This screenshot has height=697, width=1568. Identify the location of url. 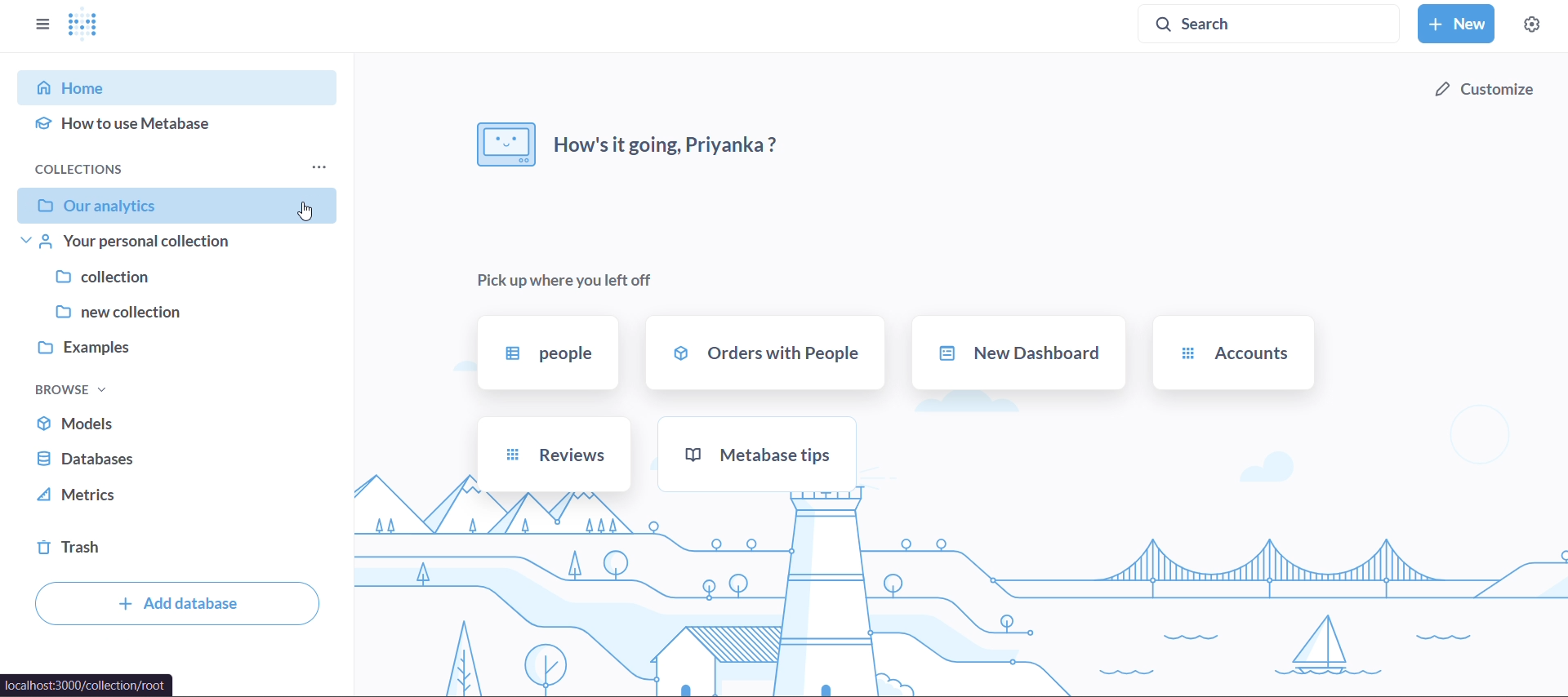
(87, 686).